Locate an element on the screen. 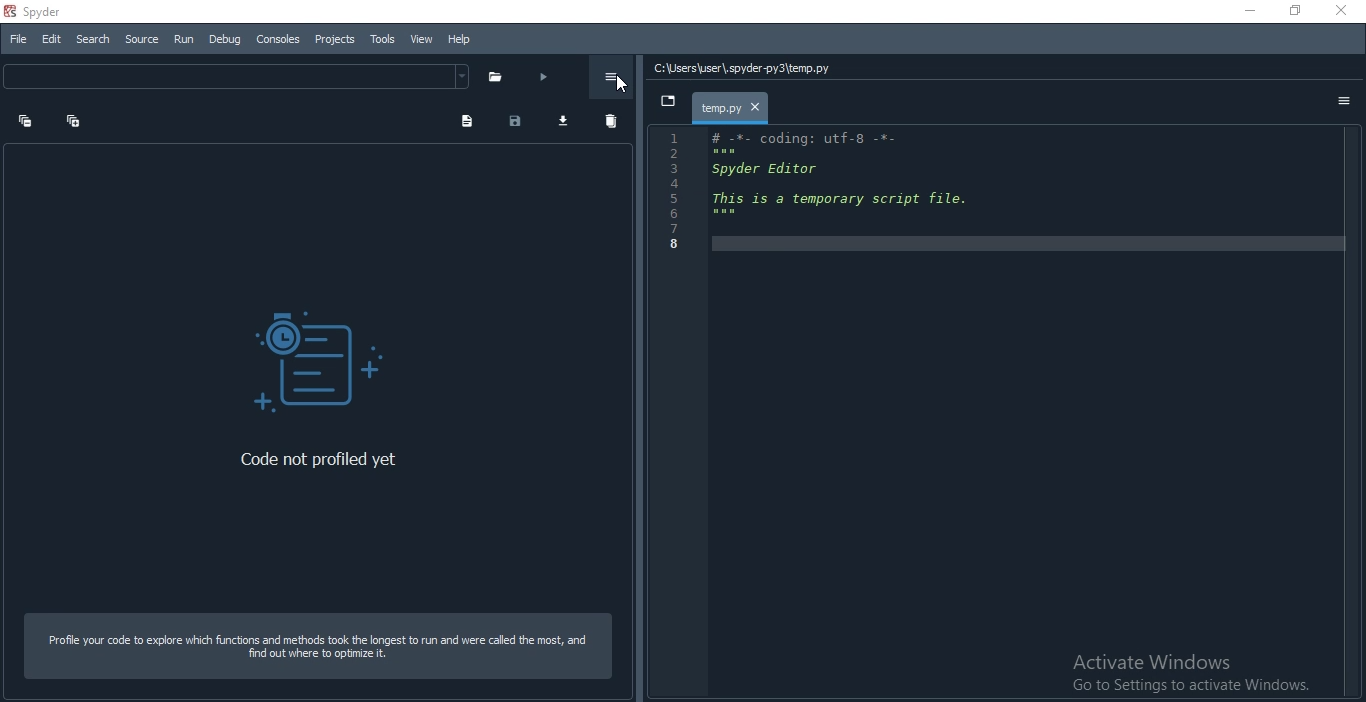  document is located at coordinates (468, 121).